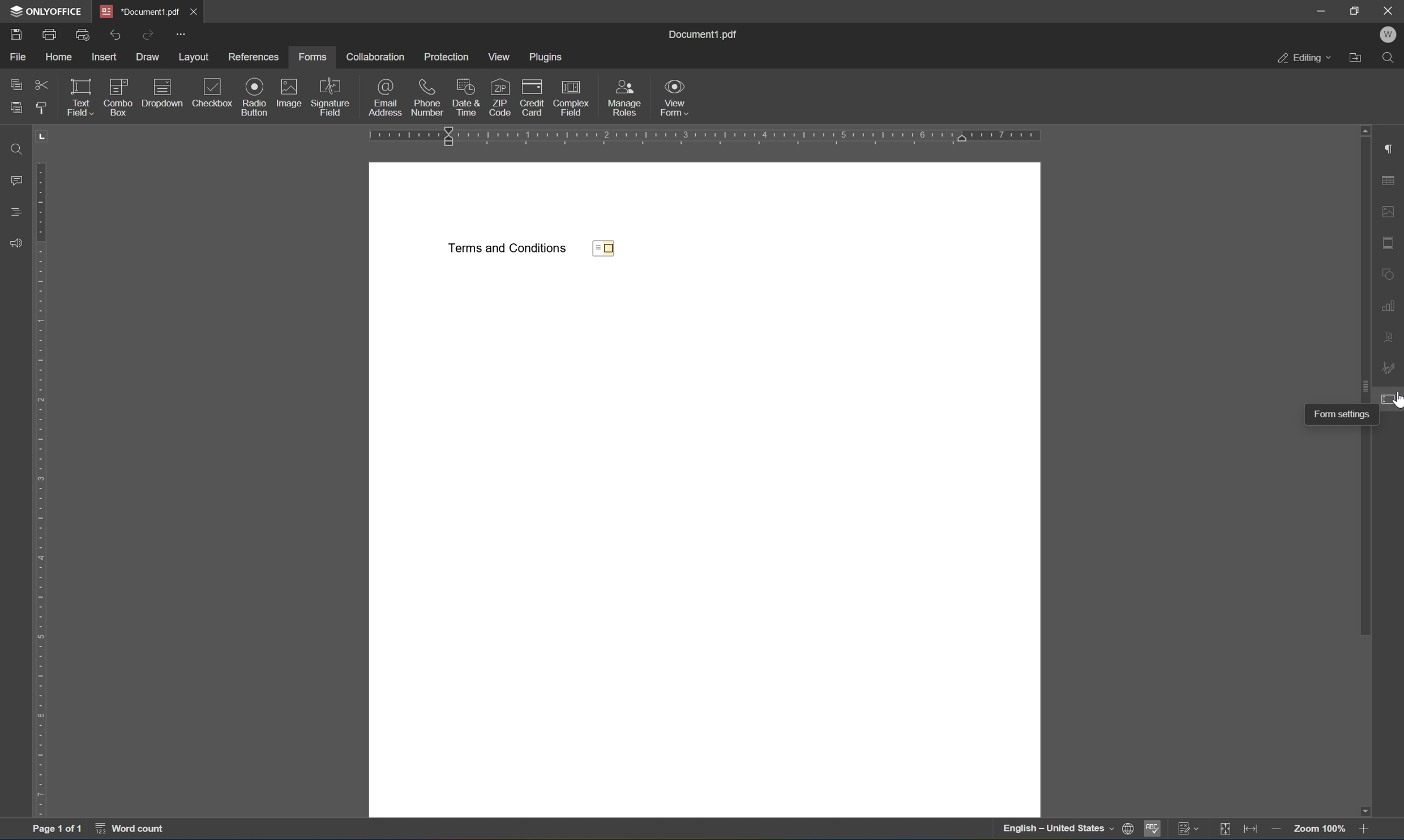 This screenshot has width=1404, height=840. What do you see at coordinates (386, 96) in the screenshot?
I see `email address` at bounding box center [386, 96].